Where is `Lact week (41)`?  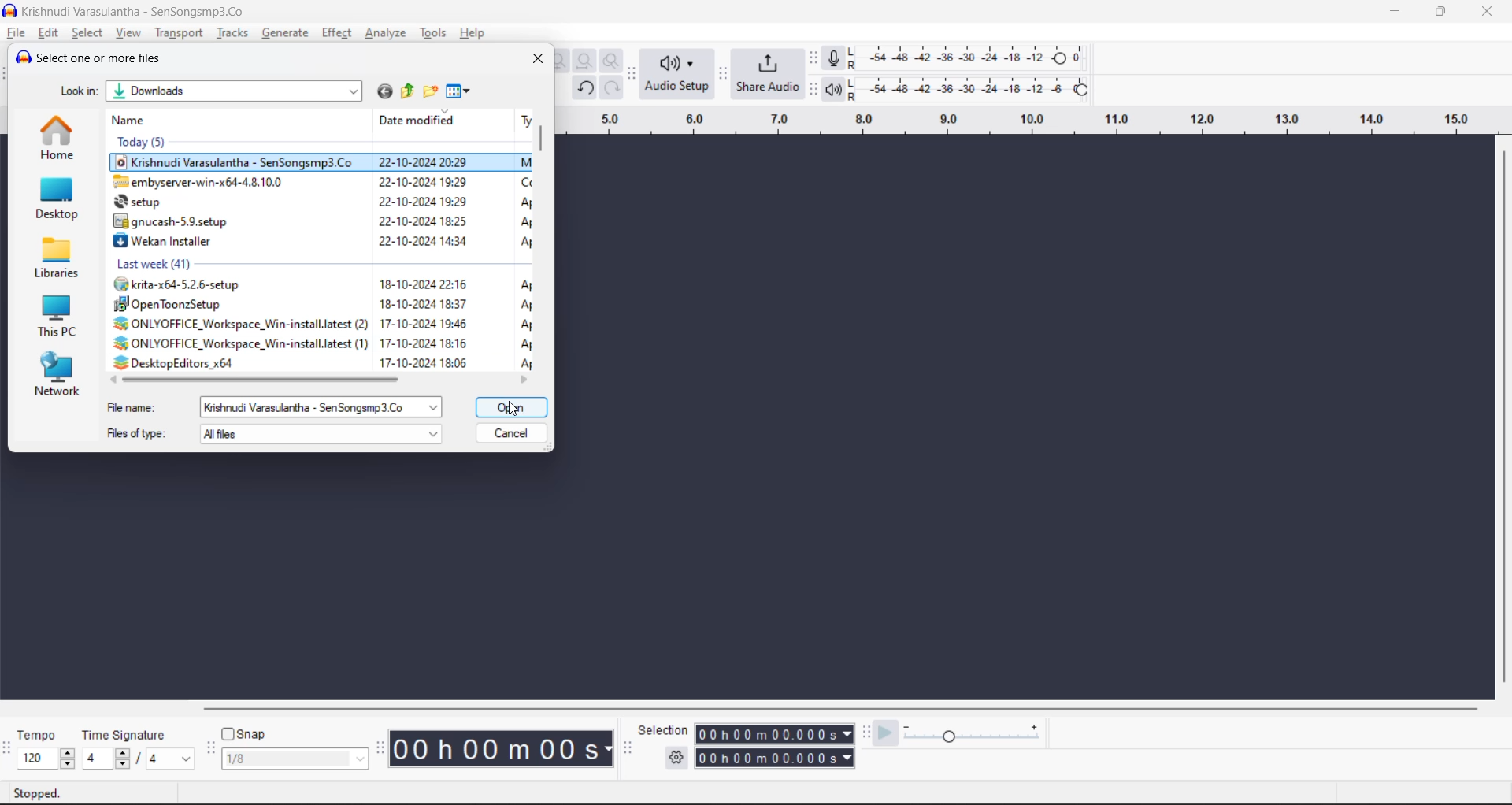
Lact week (41) is located at coordinates (310, 261).